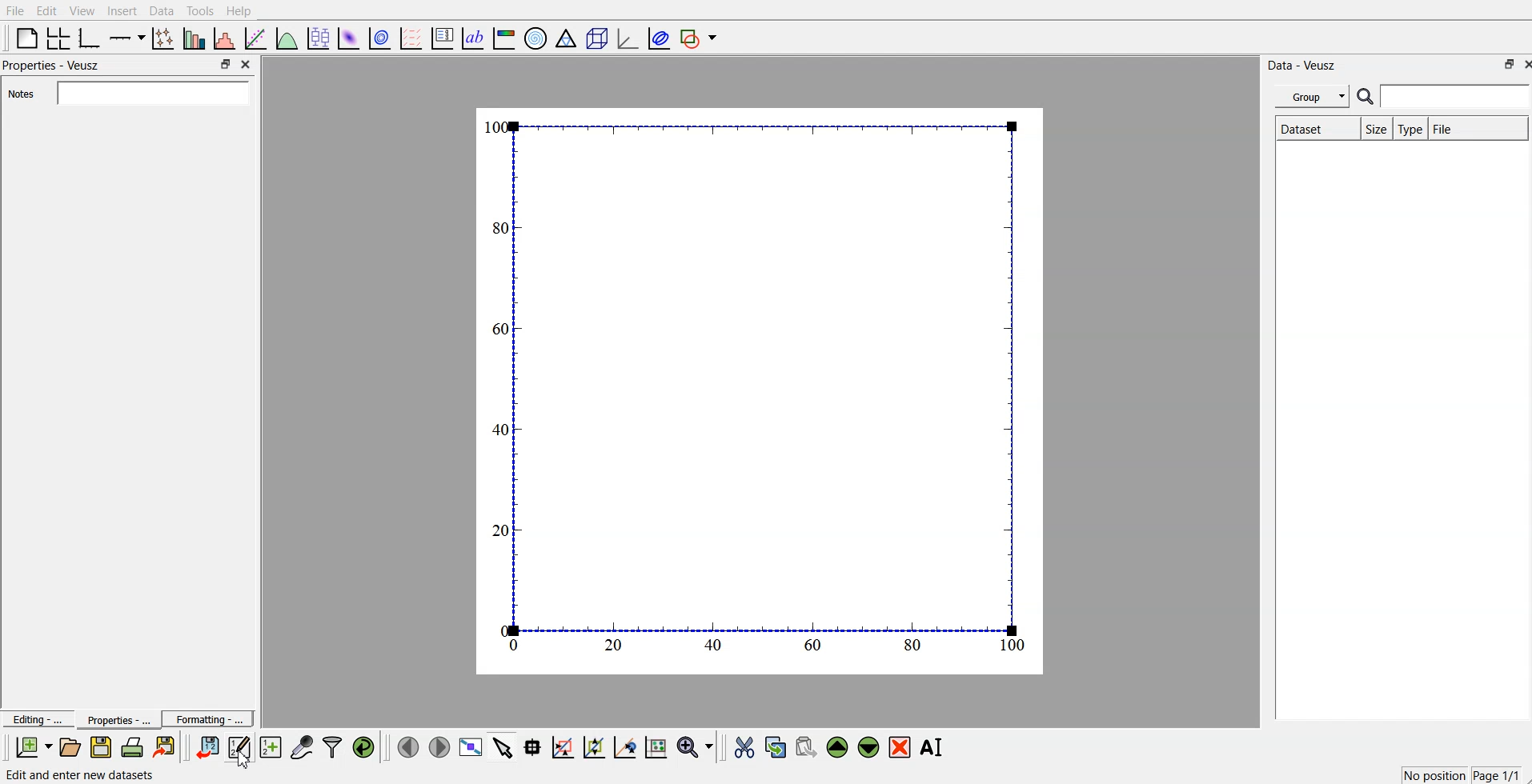  Describe the element at coordinates (164, 38) in the screenshot. I see `plot points with lines` at that location.